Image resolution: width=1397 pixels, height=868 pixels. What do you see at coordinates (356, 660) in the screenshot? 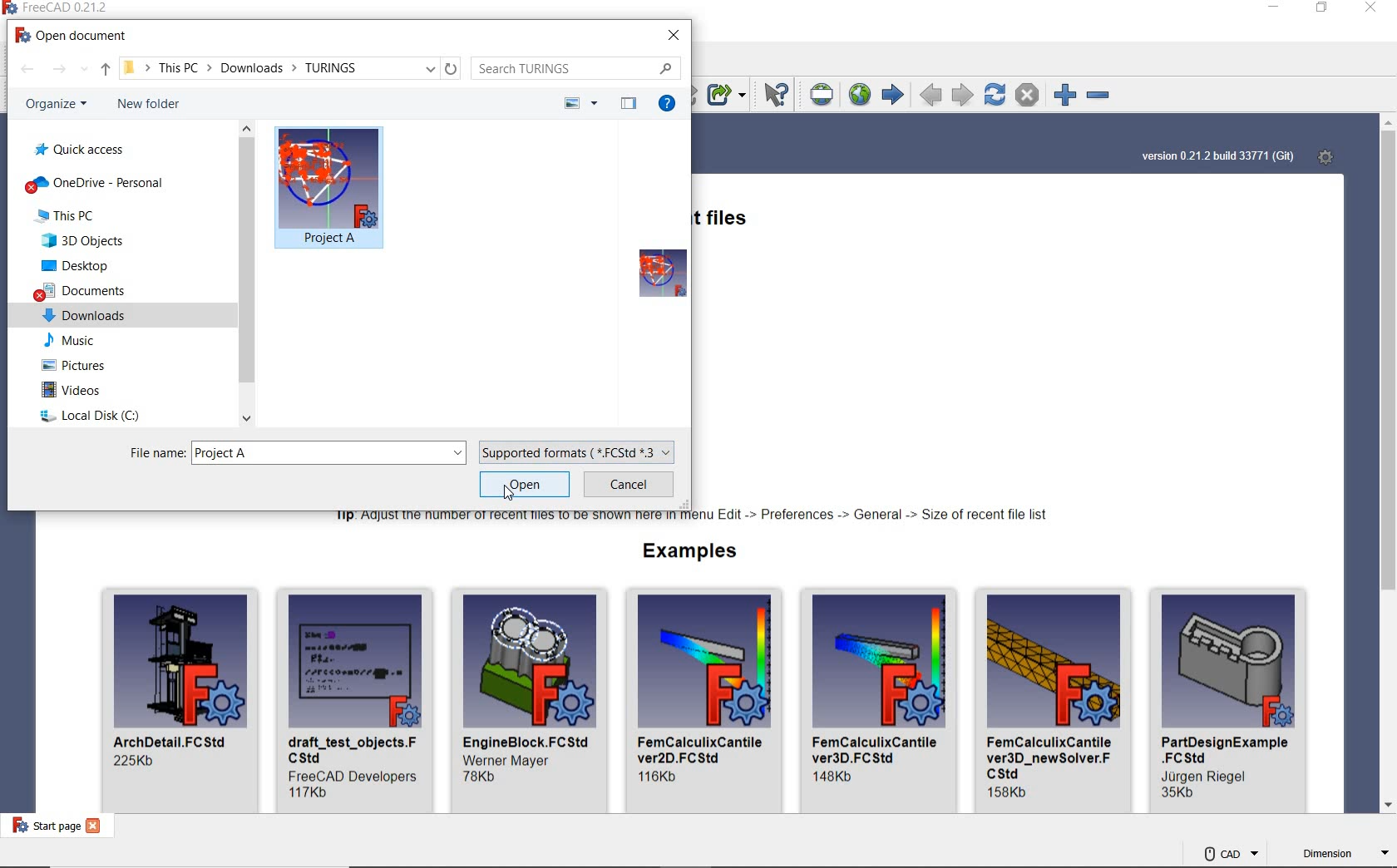
I see `image` at bounding box center [356, 660].